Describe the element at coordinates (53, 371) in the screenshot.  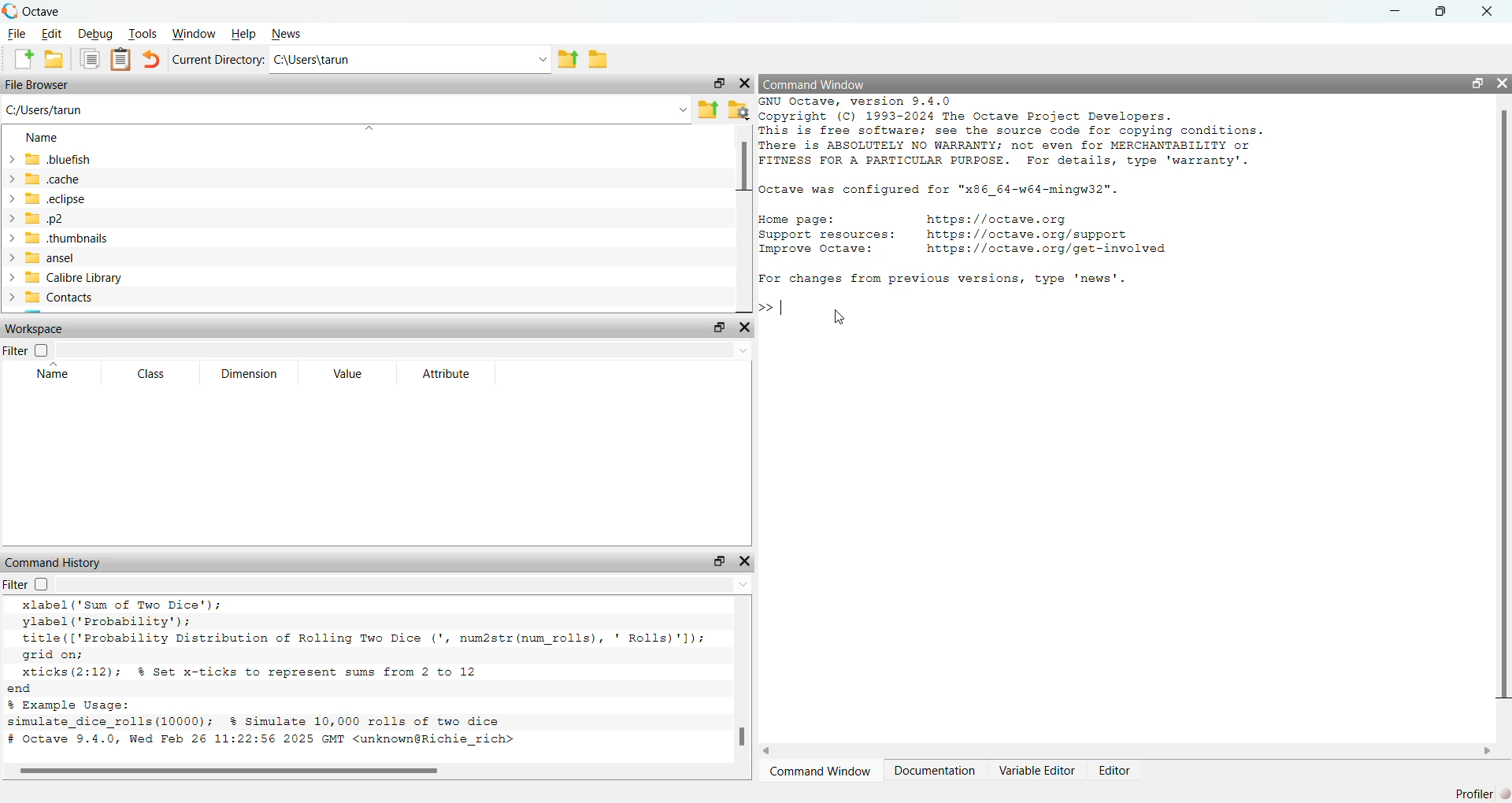
I see `Name` at that location.